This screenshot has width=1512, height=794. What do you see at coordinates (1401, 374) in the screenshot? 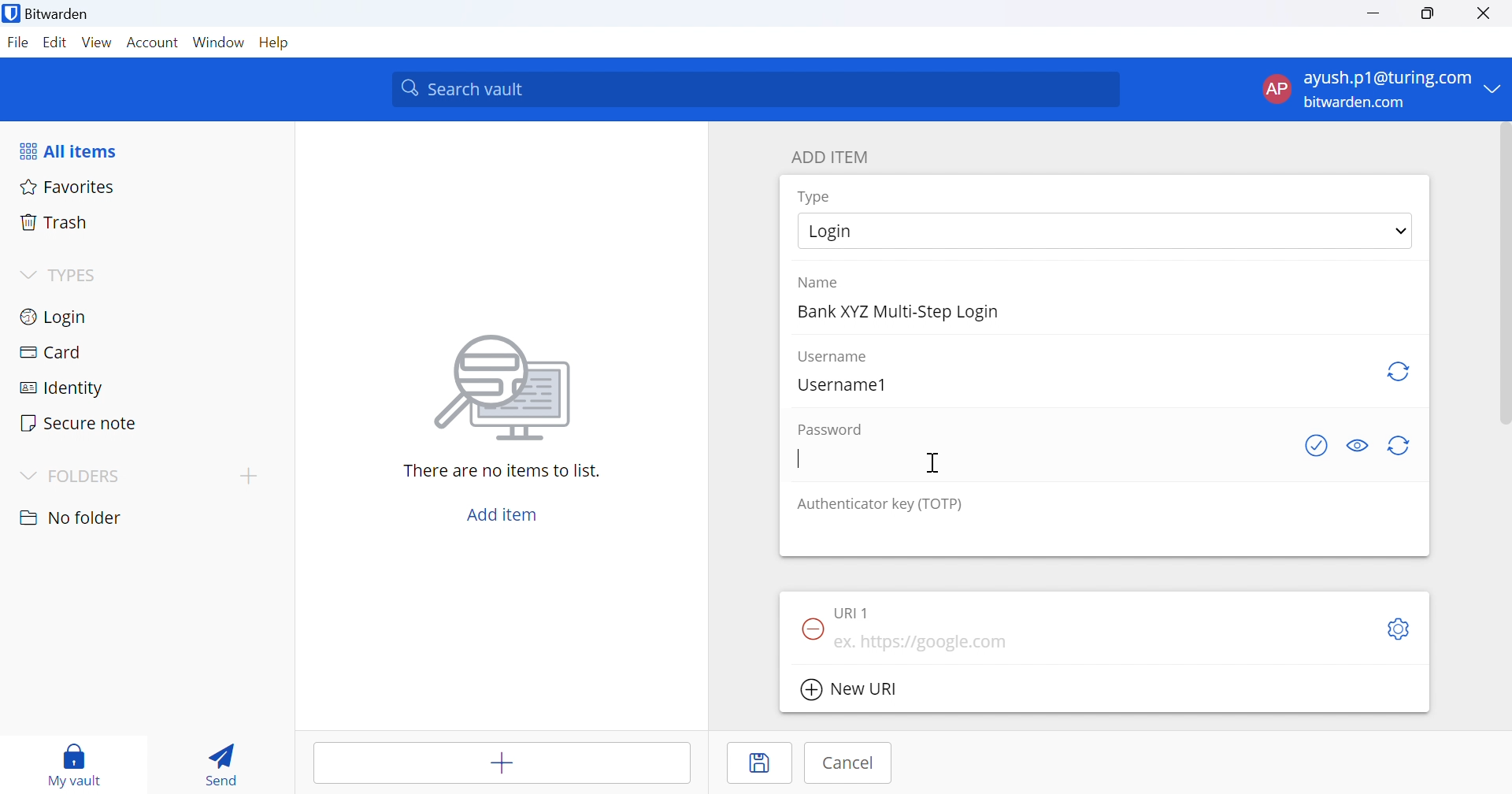
I see `Regenerate username` at bounding box center [1401, 374].